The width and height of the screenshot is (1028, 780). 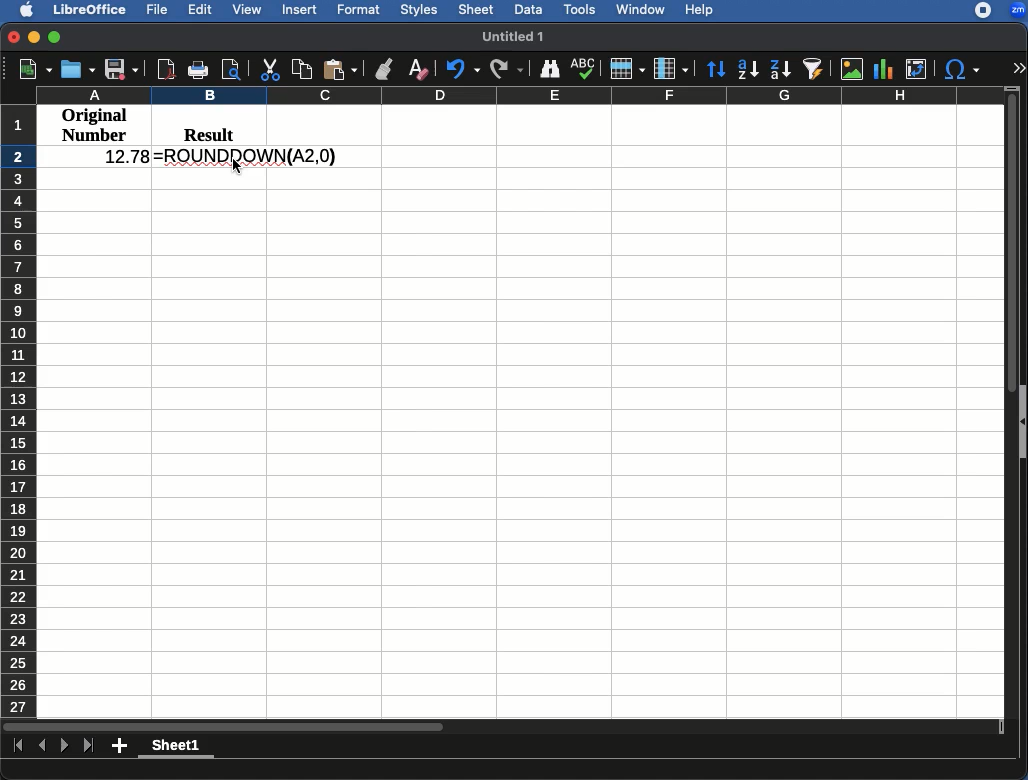 I want to click on show, so click(x=1022, y=422).